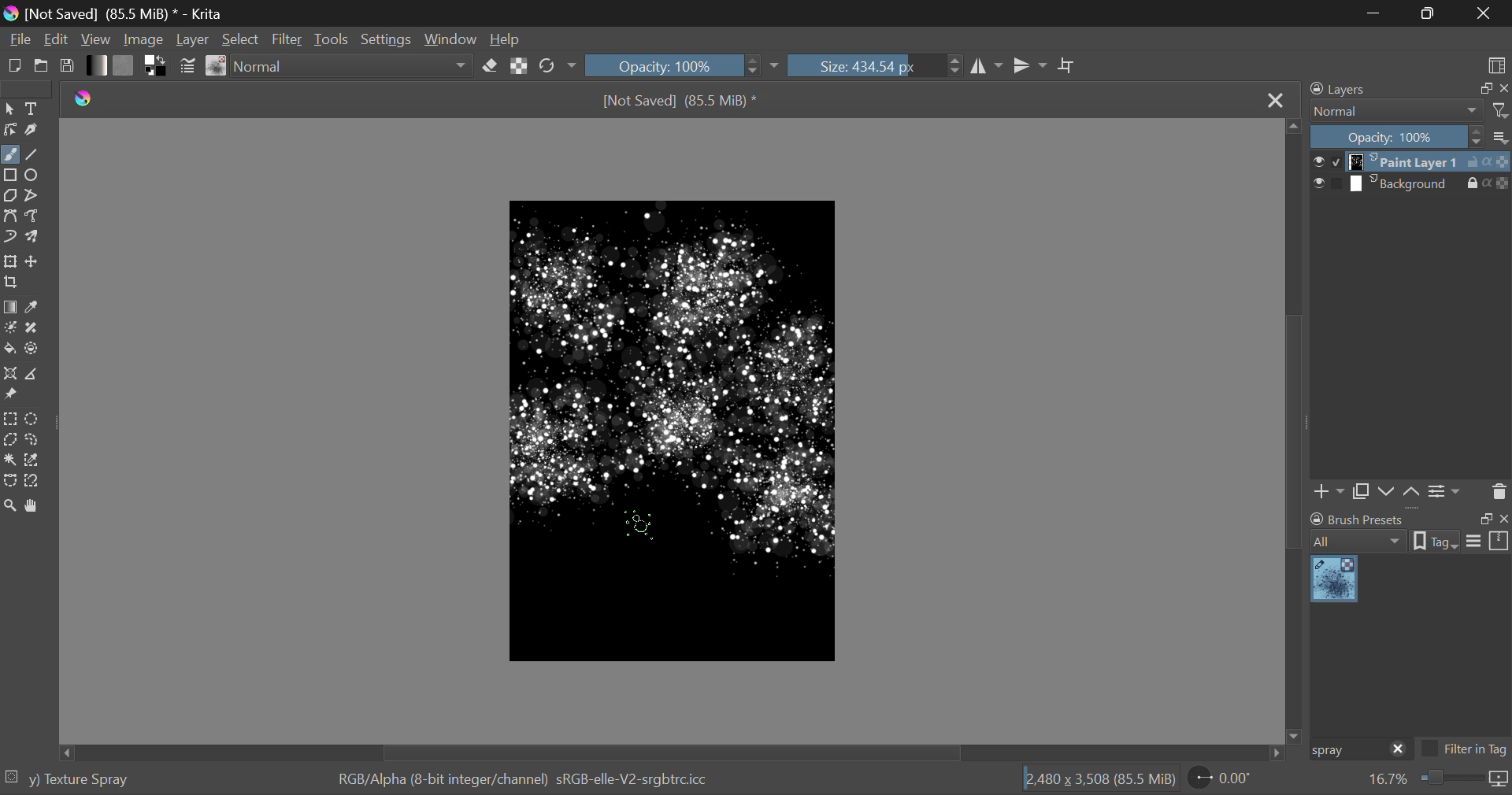 This screenshot has width=1512, height=795. Describe the element at coordinates (1488, 183) in the screenshot. I see `actions` at that location.